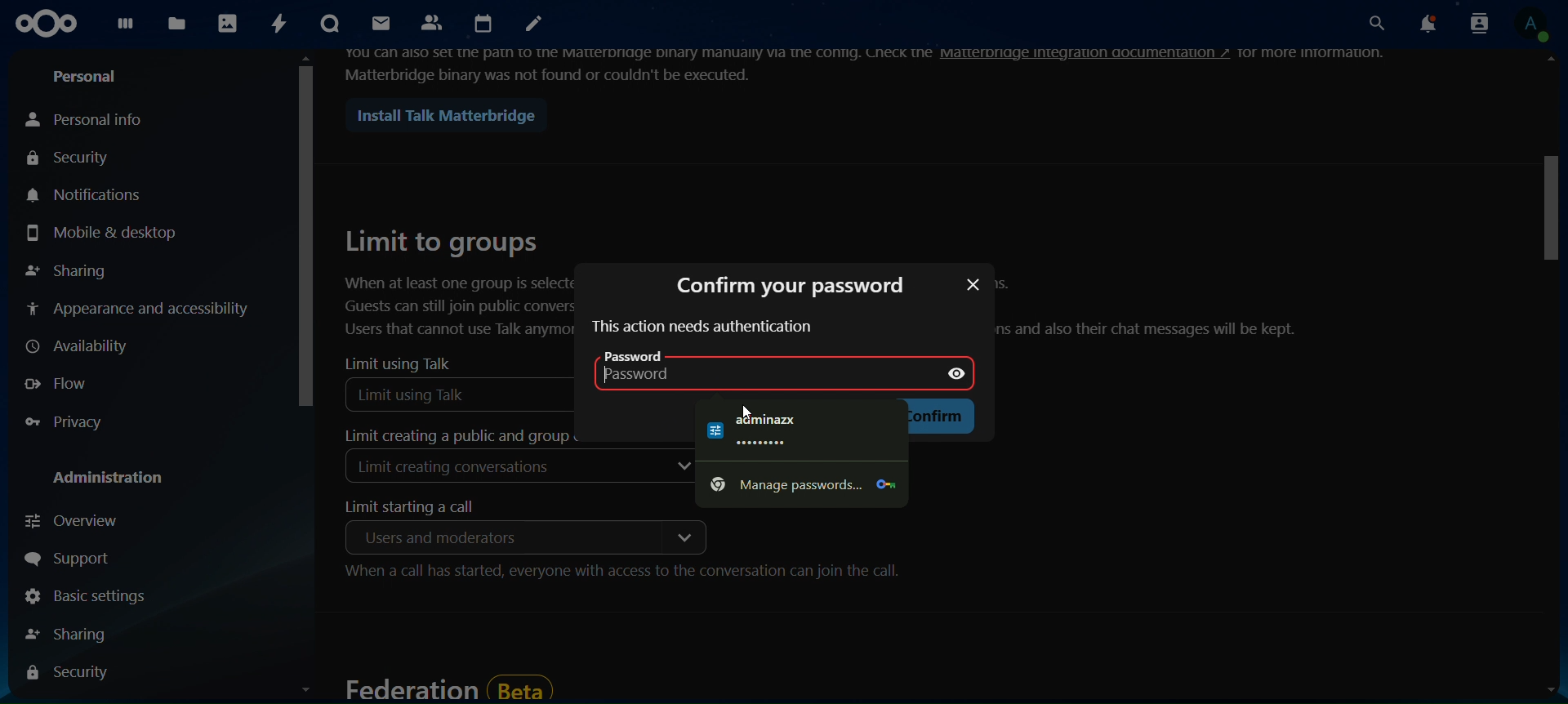 The image size is (1568, 704). I want to click on administration, so click(114, 479).